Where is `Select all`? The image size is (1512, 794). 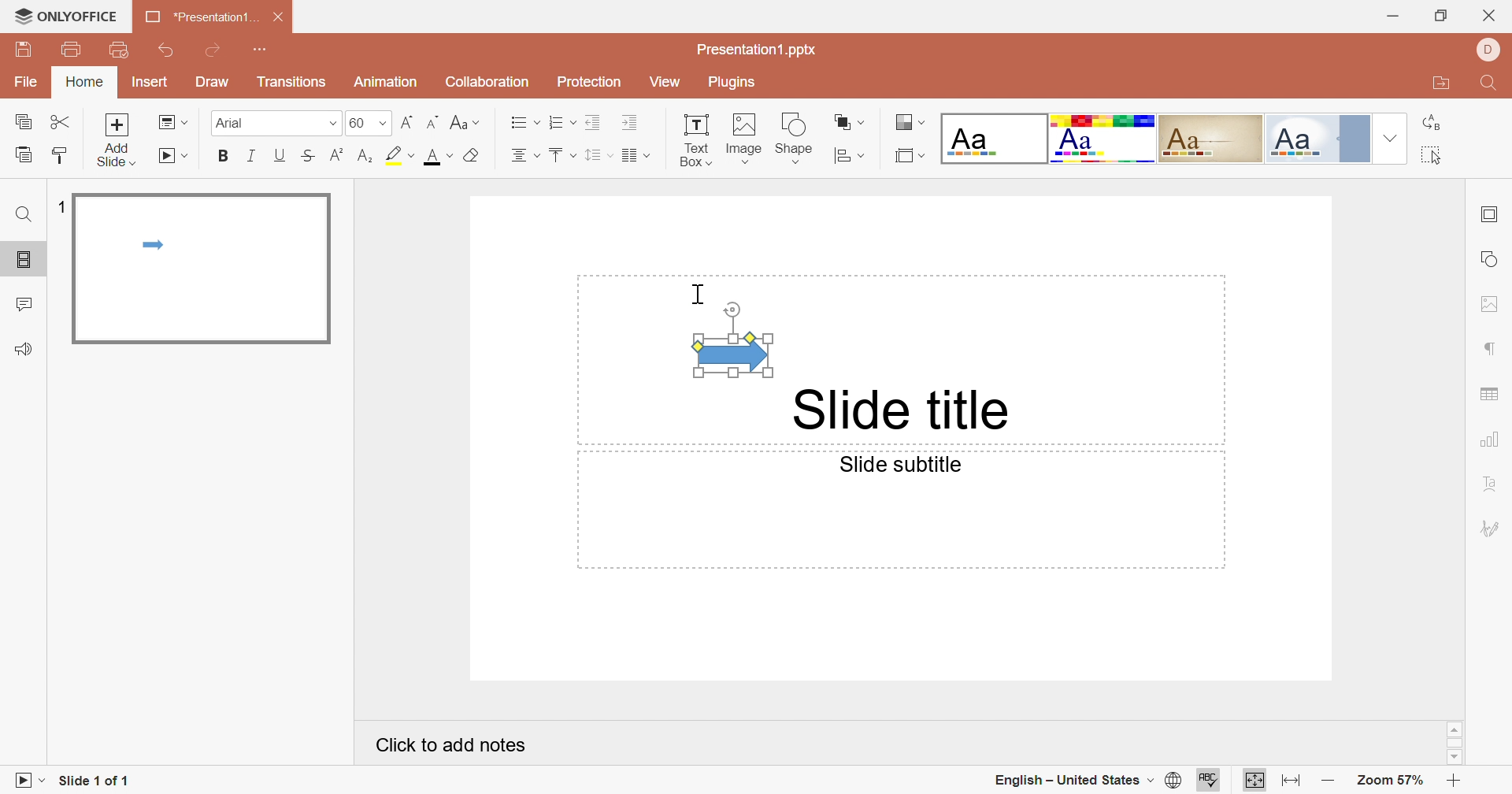
Select all is located at coordinates (1430, 154).